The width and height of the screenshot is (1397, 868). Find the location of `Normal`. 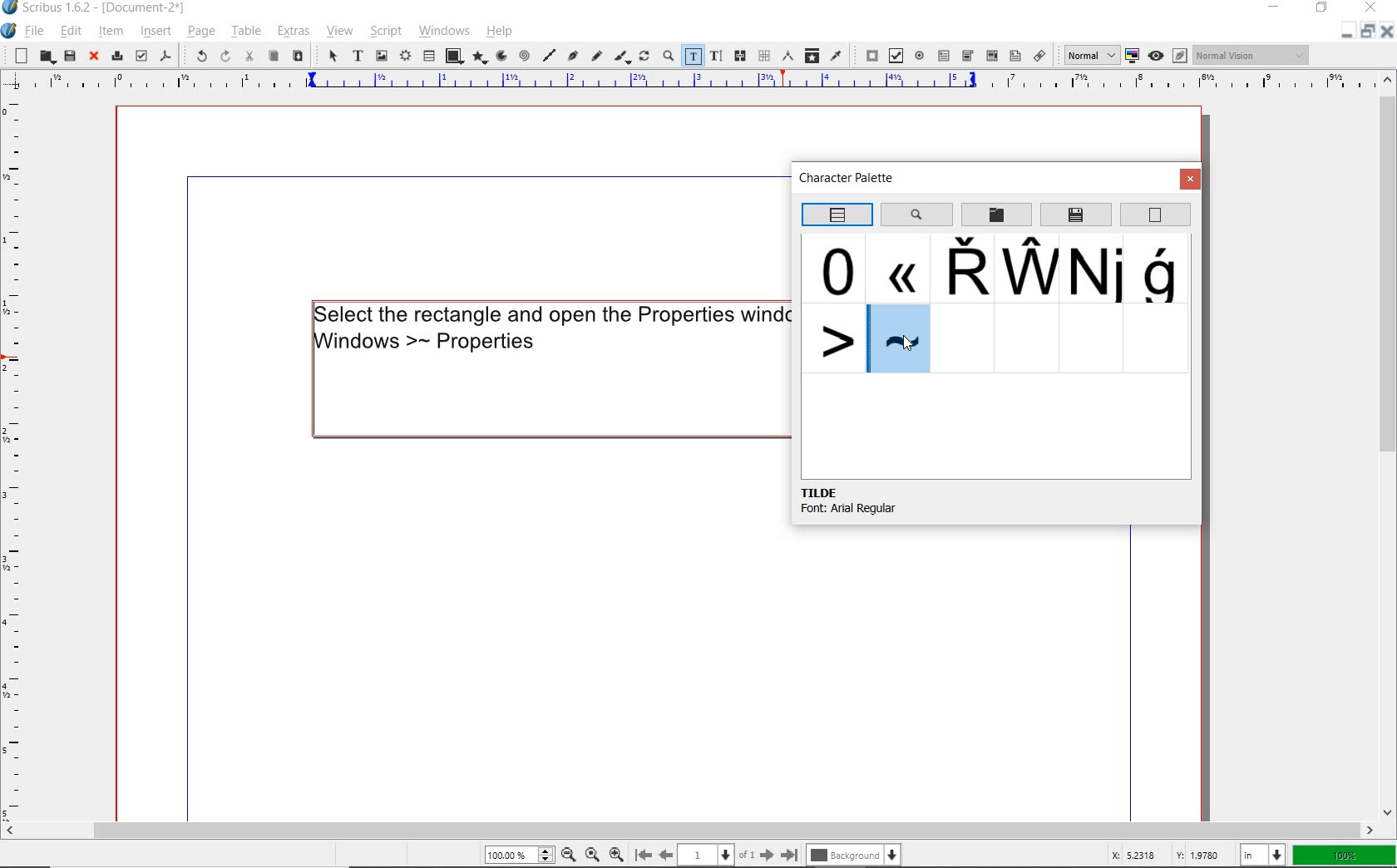

Normal is located at coordinates (1086, 54).